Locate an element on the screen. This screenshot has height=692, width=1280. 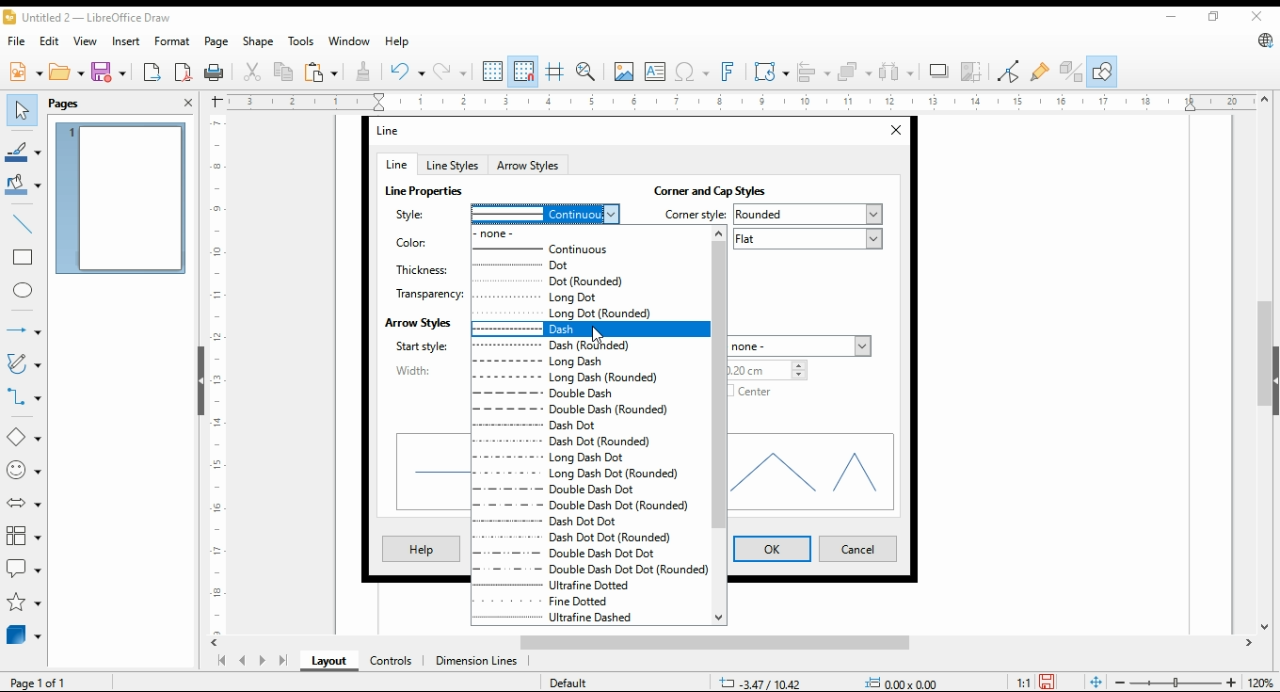
double dash dot is located at coordinates (578, 488).